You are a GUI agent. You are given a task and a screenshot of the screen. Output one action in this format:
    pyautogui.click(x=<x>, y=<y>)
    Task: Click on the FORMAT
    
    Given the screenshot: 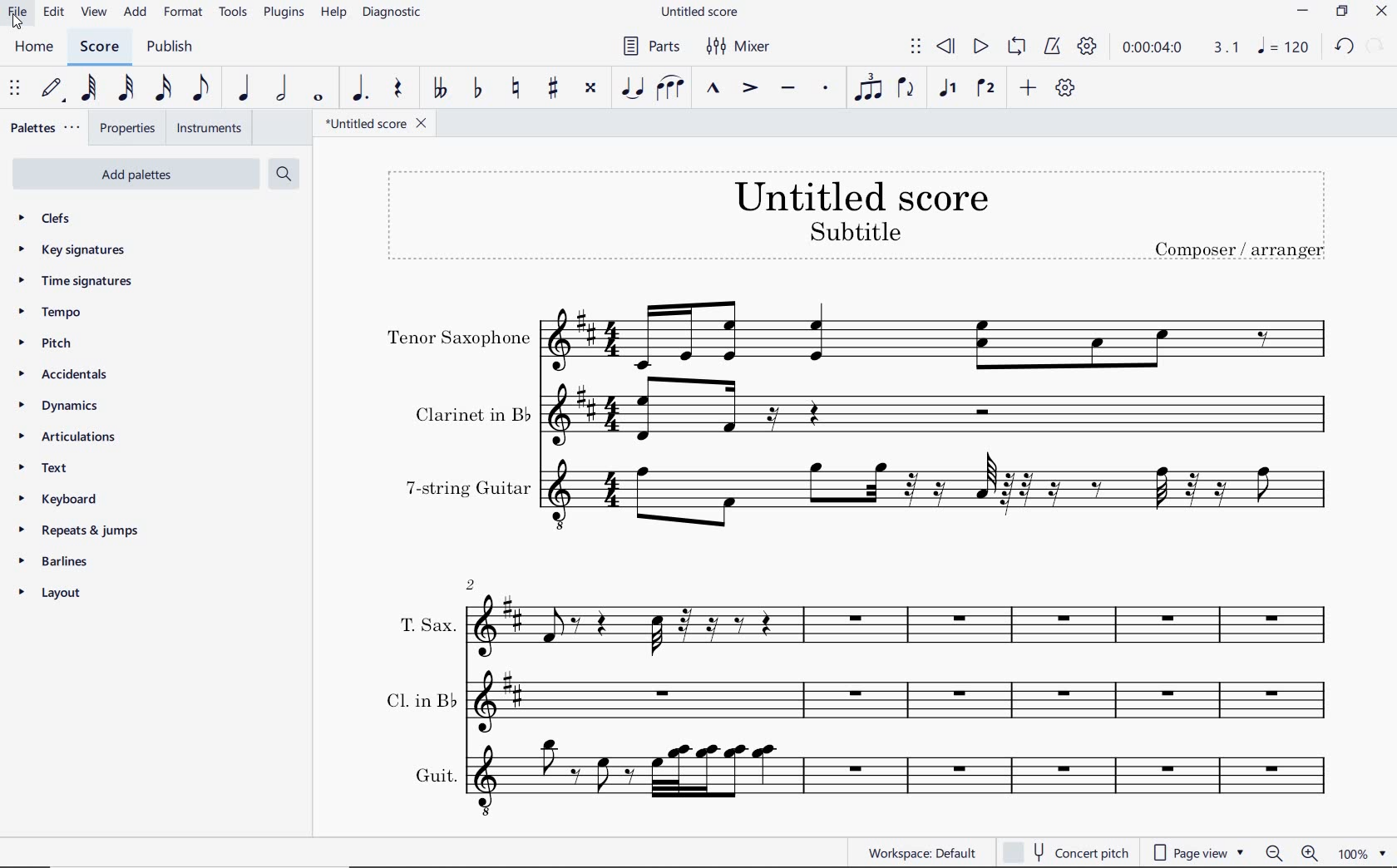 What is the action you would take?
    pyautogui.click(x=184, y=12)
    